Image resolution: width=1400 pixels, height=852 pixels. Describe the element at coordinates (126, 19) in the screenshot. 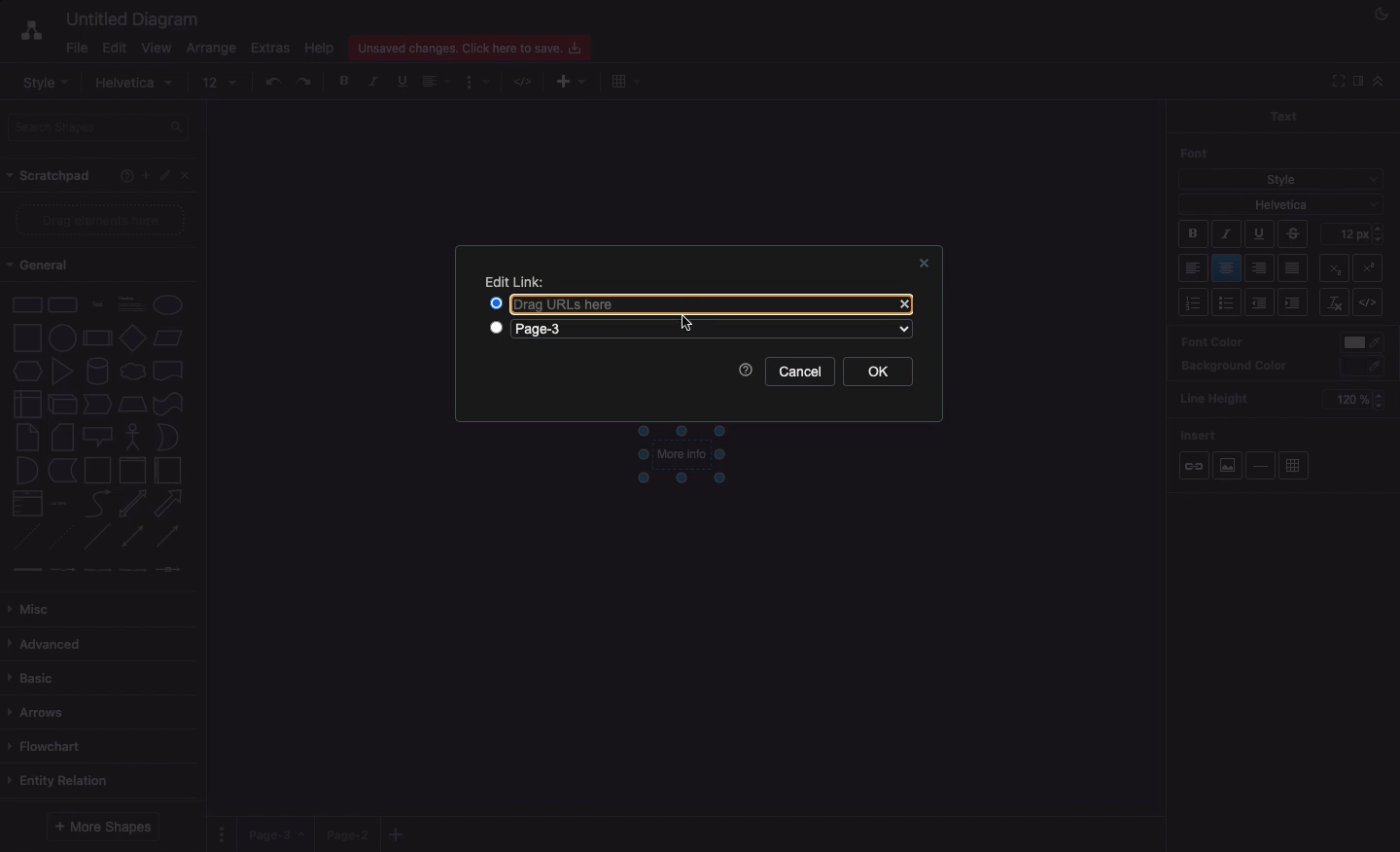

I see `Untitled diagram` at that location.